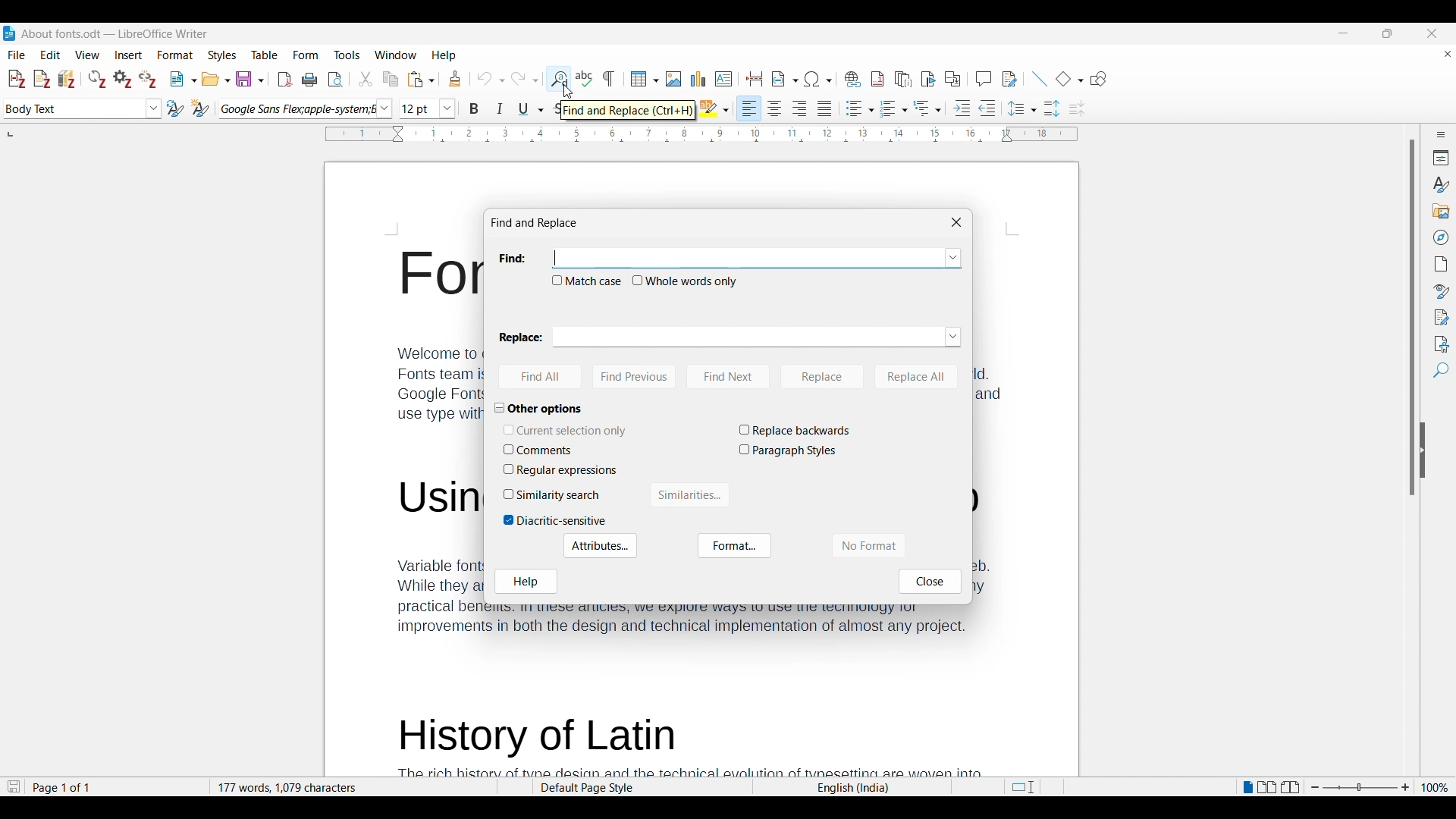 The width and height of the screenshot is (1456, 819). I want to click on Basic shape options, so click(1069, 79).